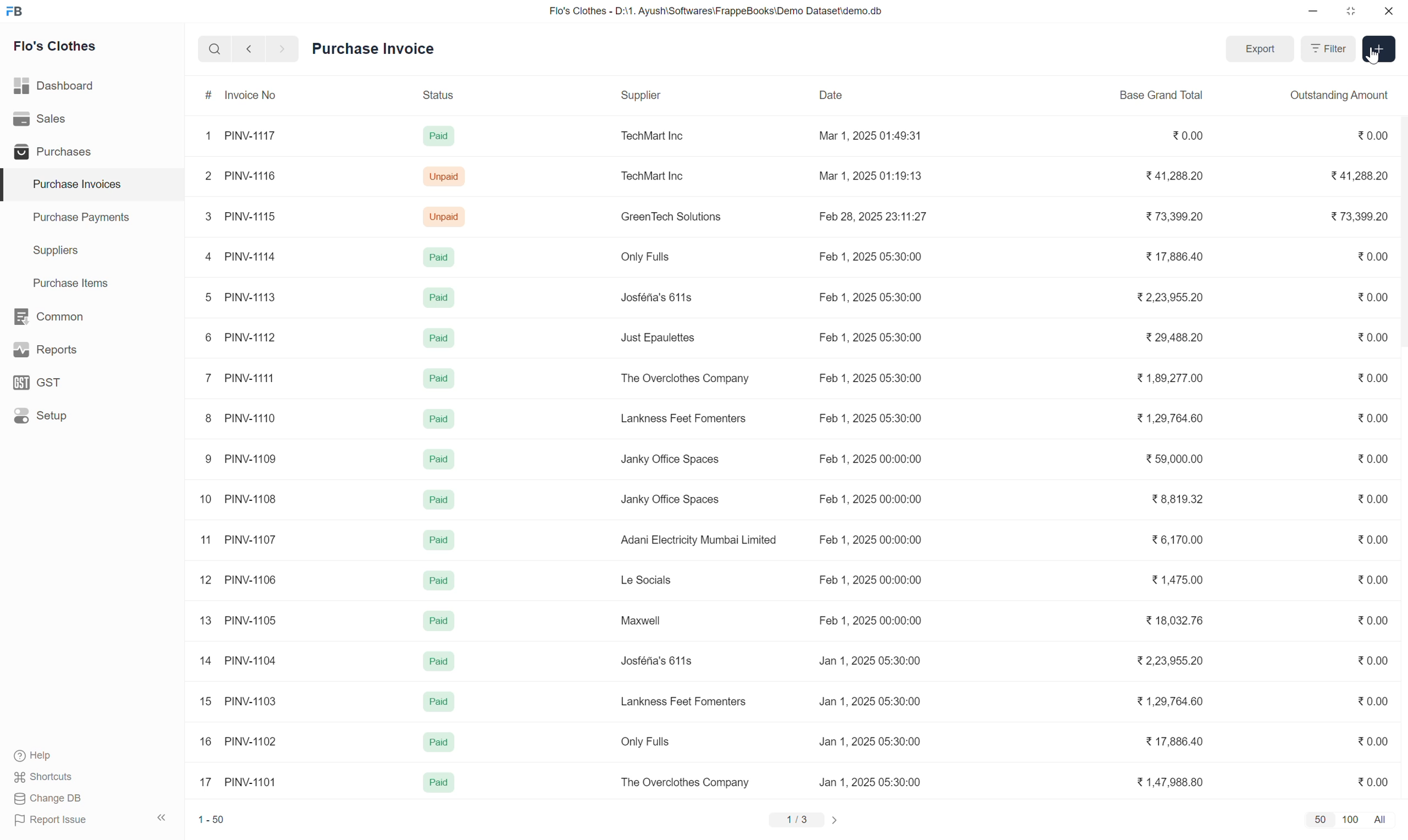 The height and width of the screenshot is (840, 1408). I want to click on Paid, so click(439, 659).